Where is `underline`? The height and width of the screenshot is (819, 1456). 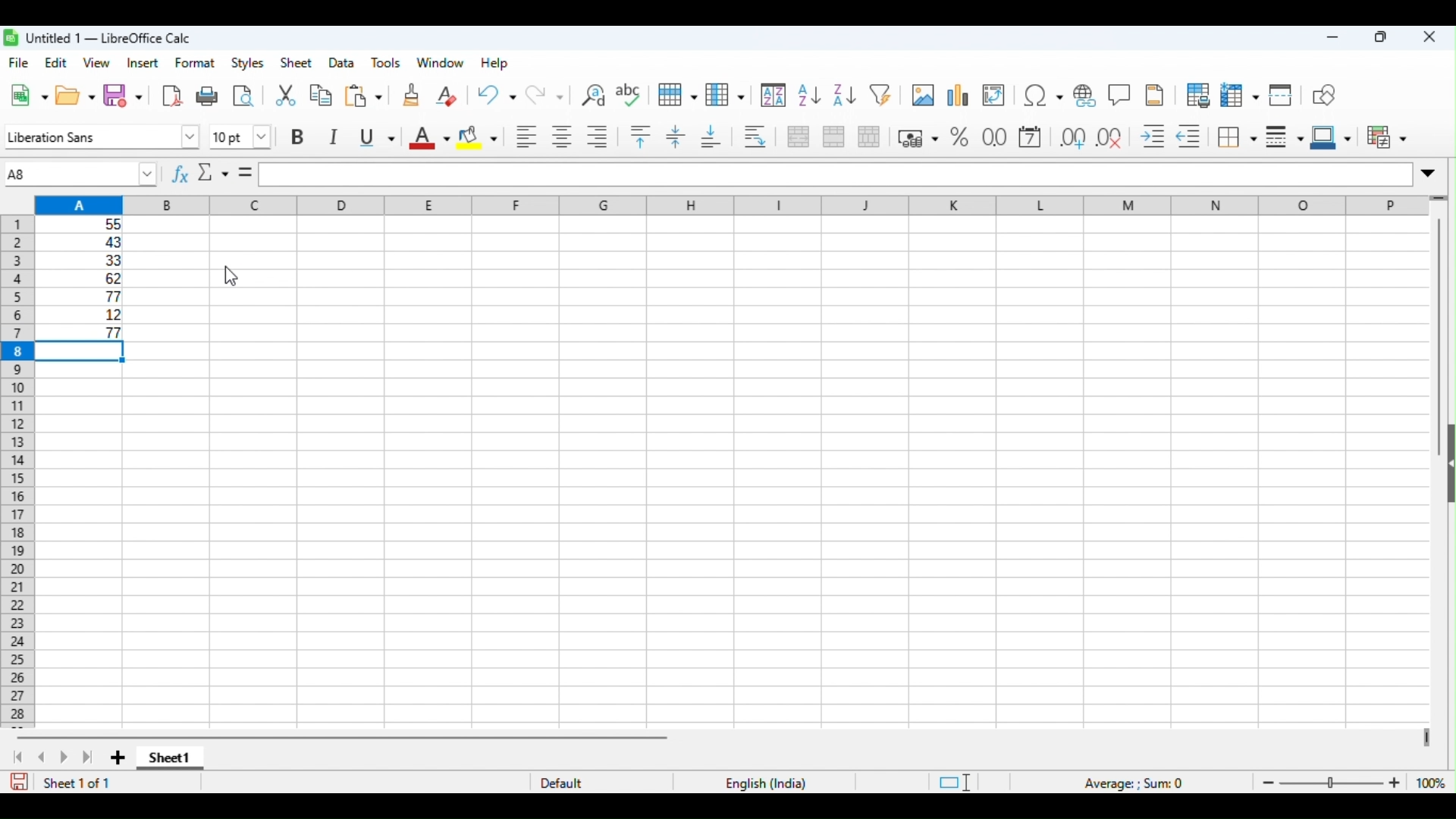
underline is located at coordinates (379, 137).